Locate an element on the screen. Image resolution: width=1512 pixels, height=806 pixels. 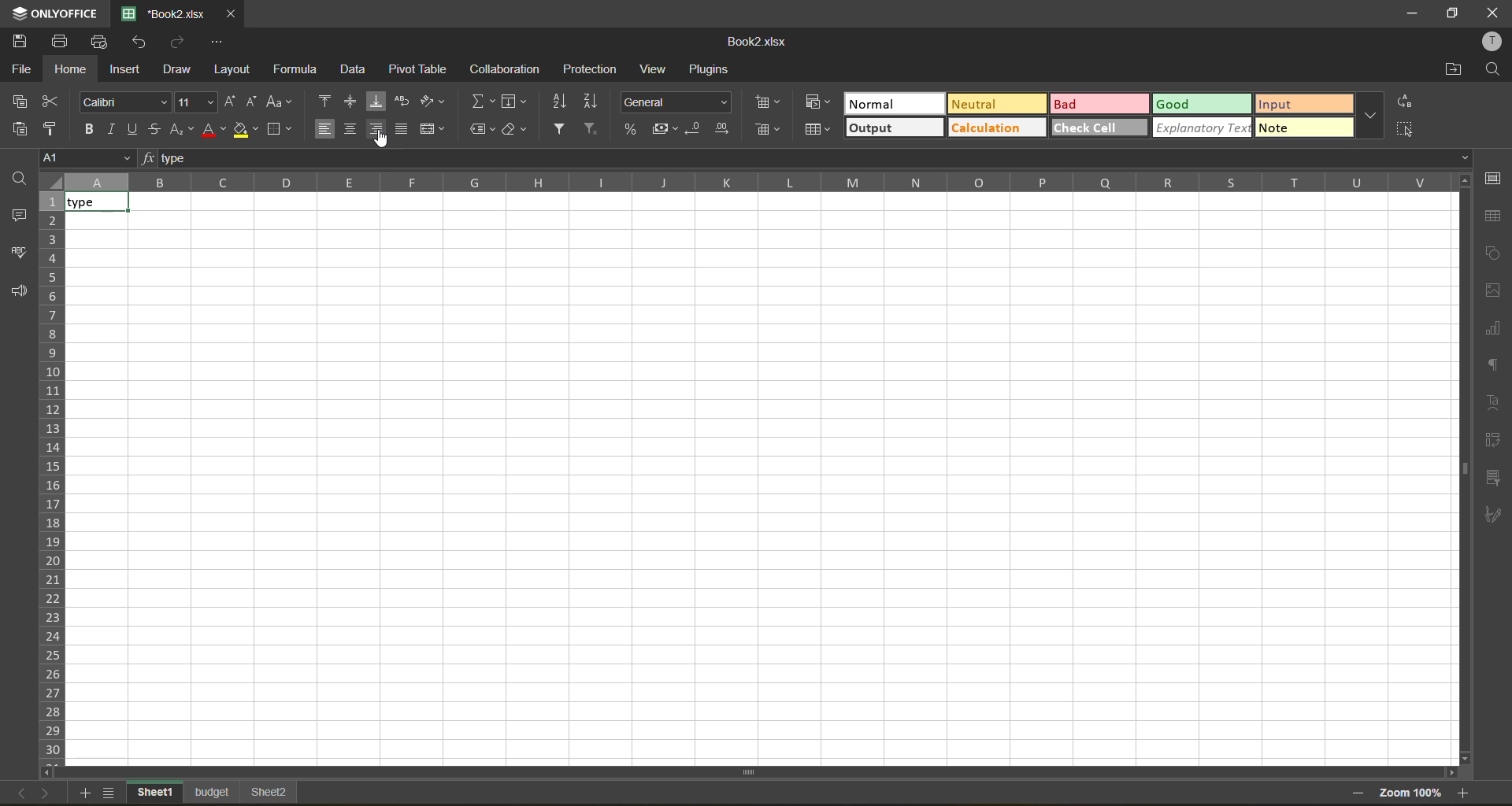
ONLYOFFICE is located at coordinates (55, 13).